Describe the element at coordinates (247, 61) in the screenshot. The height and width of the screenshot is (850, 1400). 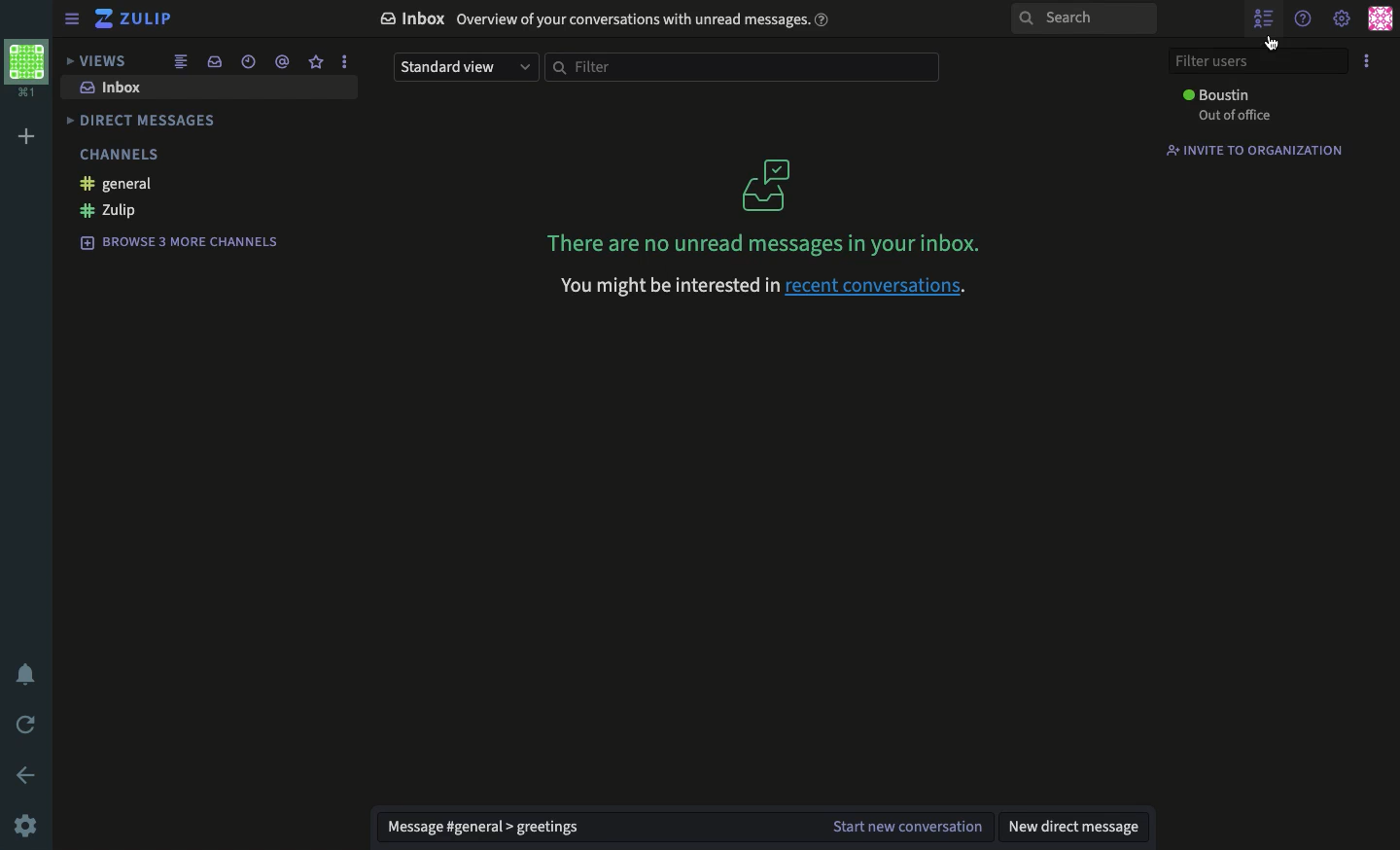
I see `recent conversations` at that location.